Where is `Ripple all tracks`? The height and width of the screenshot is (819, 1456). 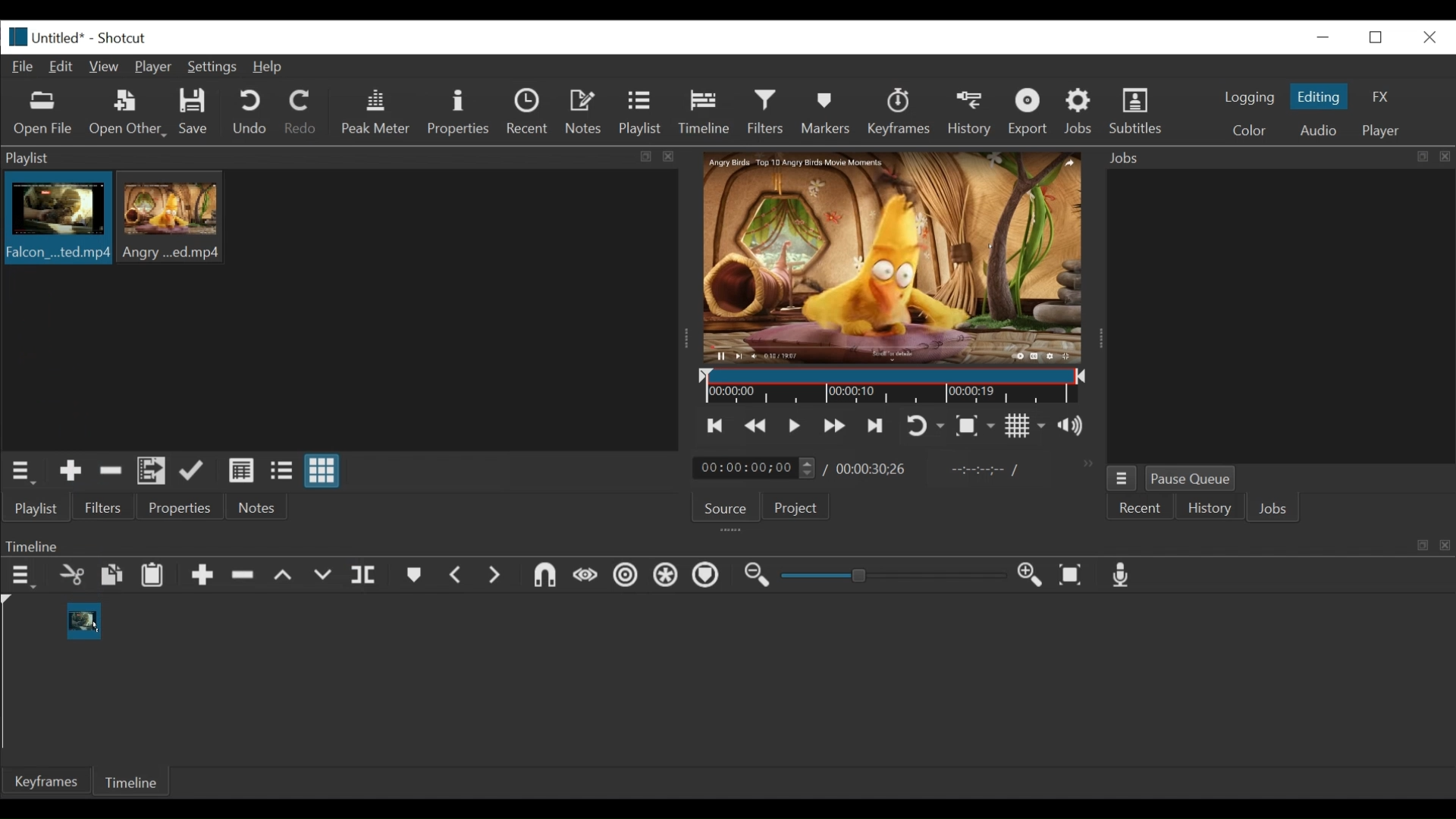 Ripple all tracks is located at coordinates (665, 577).